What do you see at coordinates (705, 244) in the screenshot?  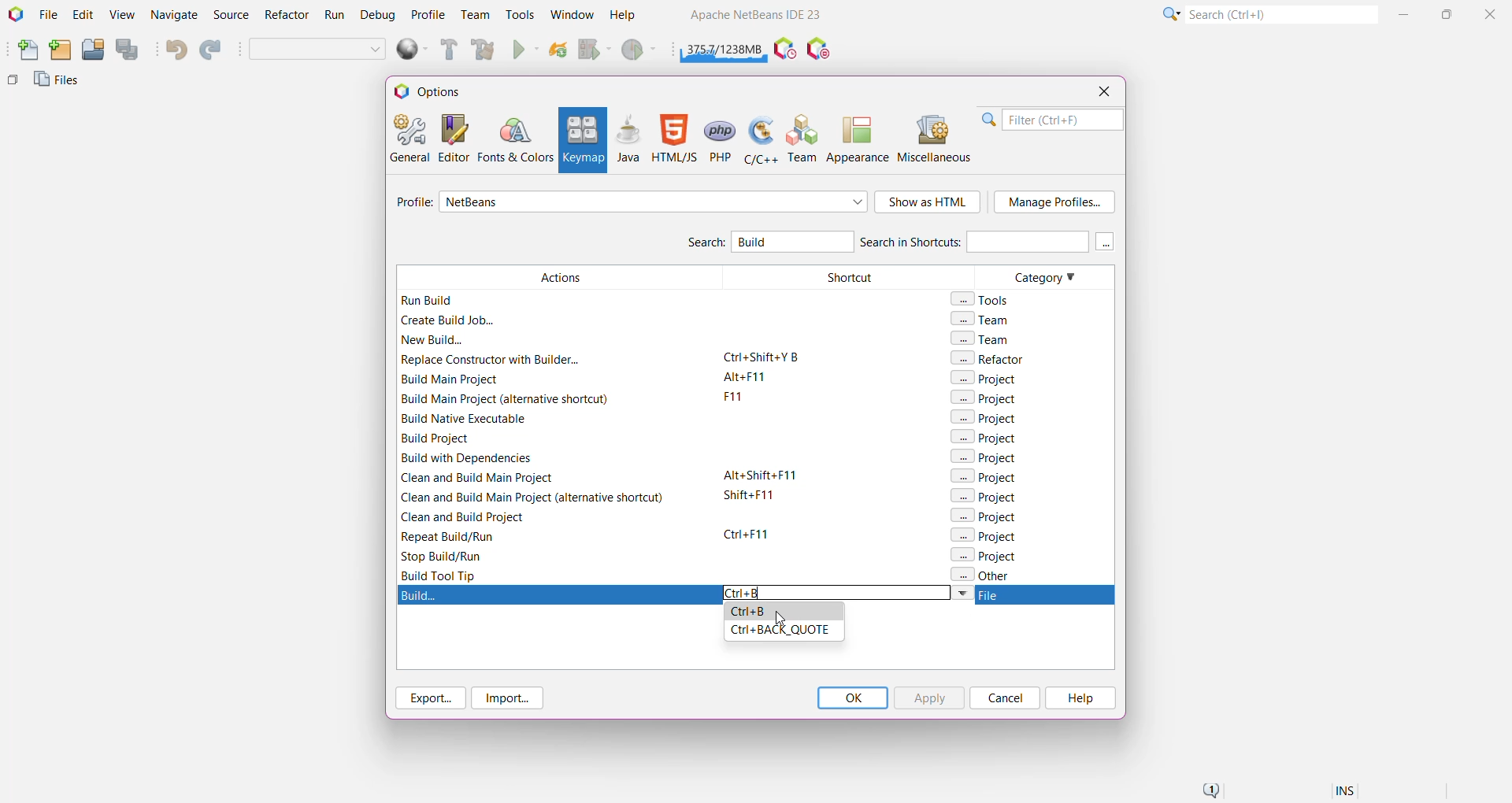 I see `Search` at bounding box center [705, 244].